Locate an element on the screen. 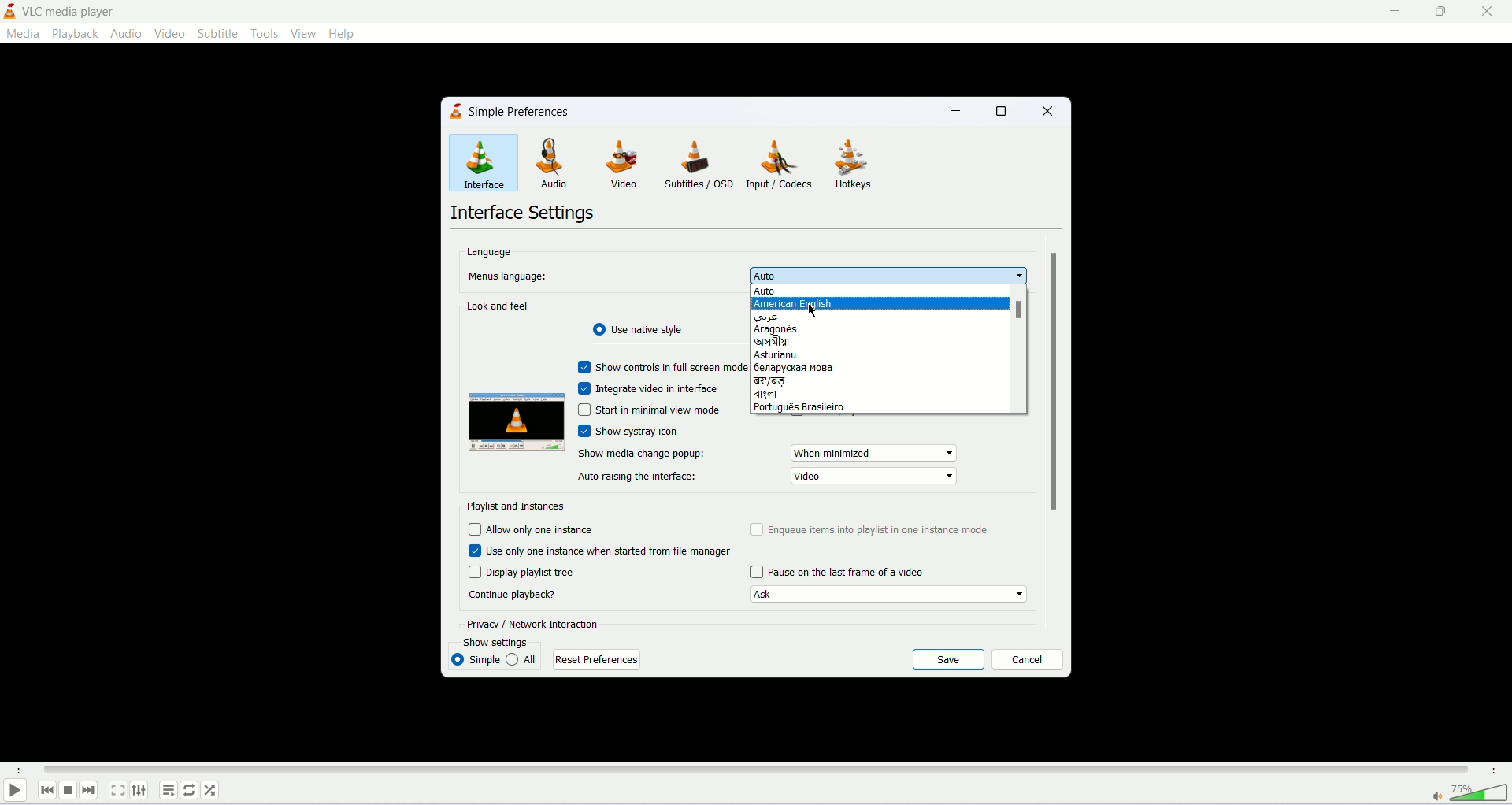 This screenshot has height=805, width=1512. audio is located at coordinates (125, 33).